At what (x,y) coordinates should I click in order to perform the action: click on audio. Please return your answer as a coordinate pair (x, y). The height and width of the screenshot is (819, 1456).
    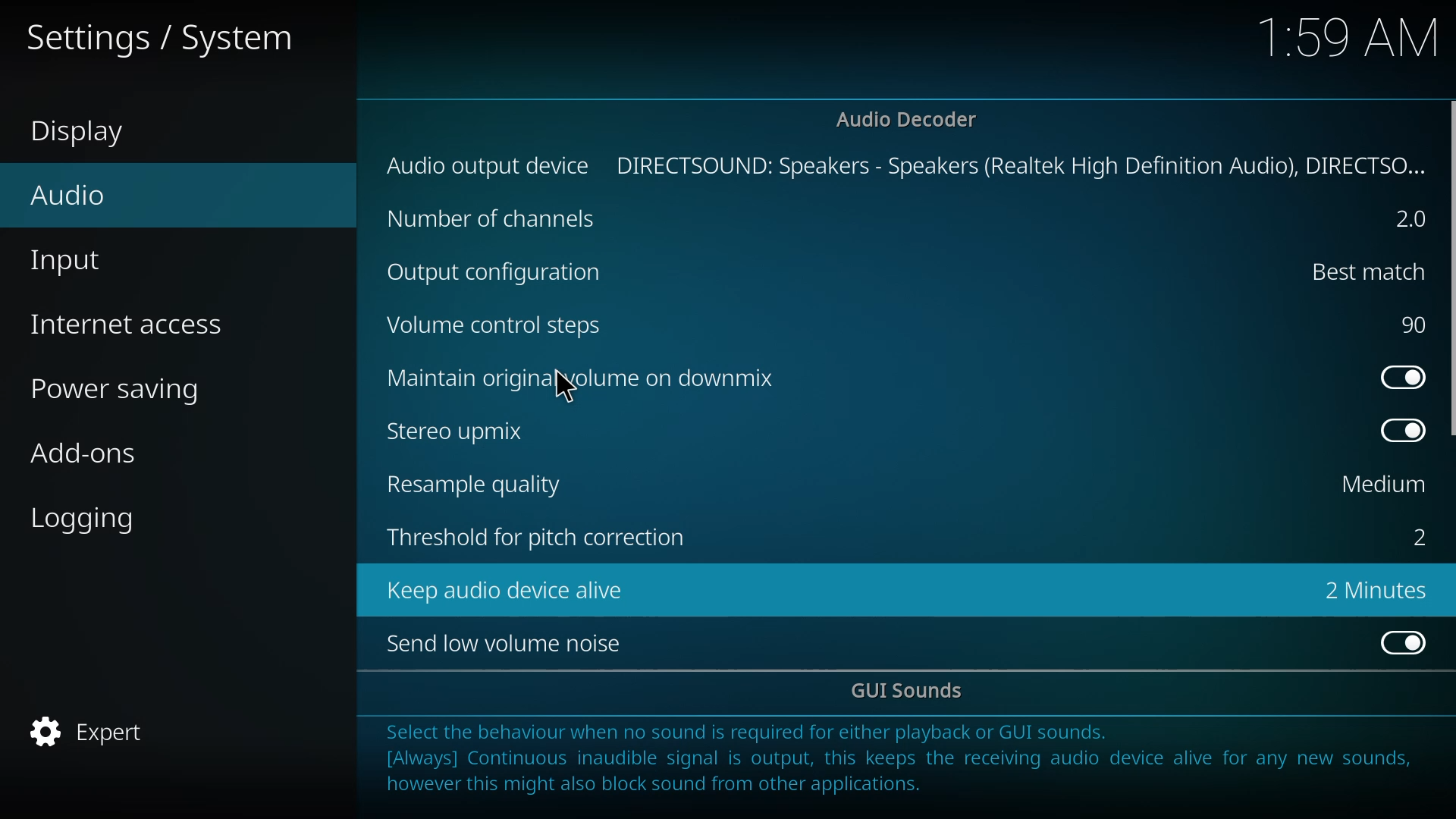
    Looking at the image, I should click on (67, 195).